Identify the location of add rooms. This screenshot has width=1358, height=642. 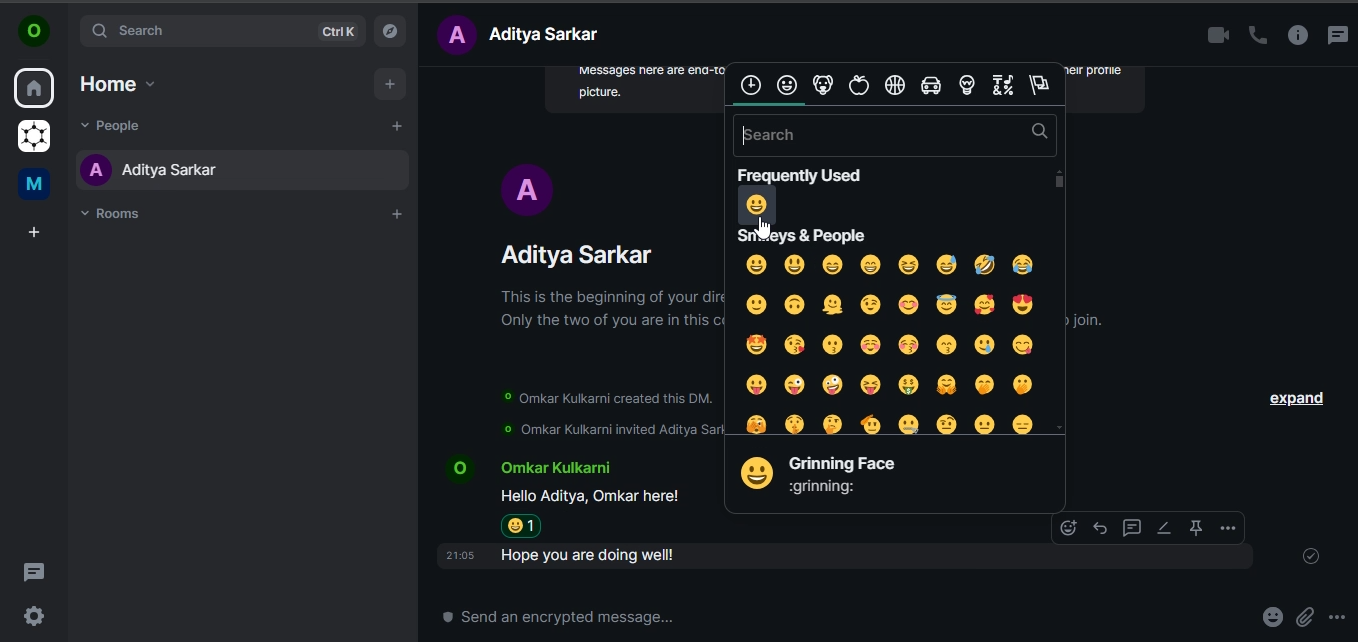
(396, 214).